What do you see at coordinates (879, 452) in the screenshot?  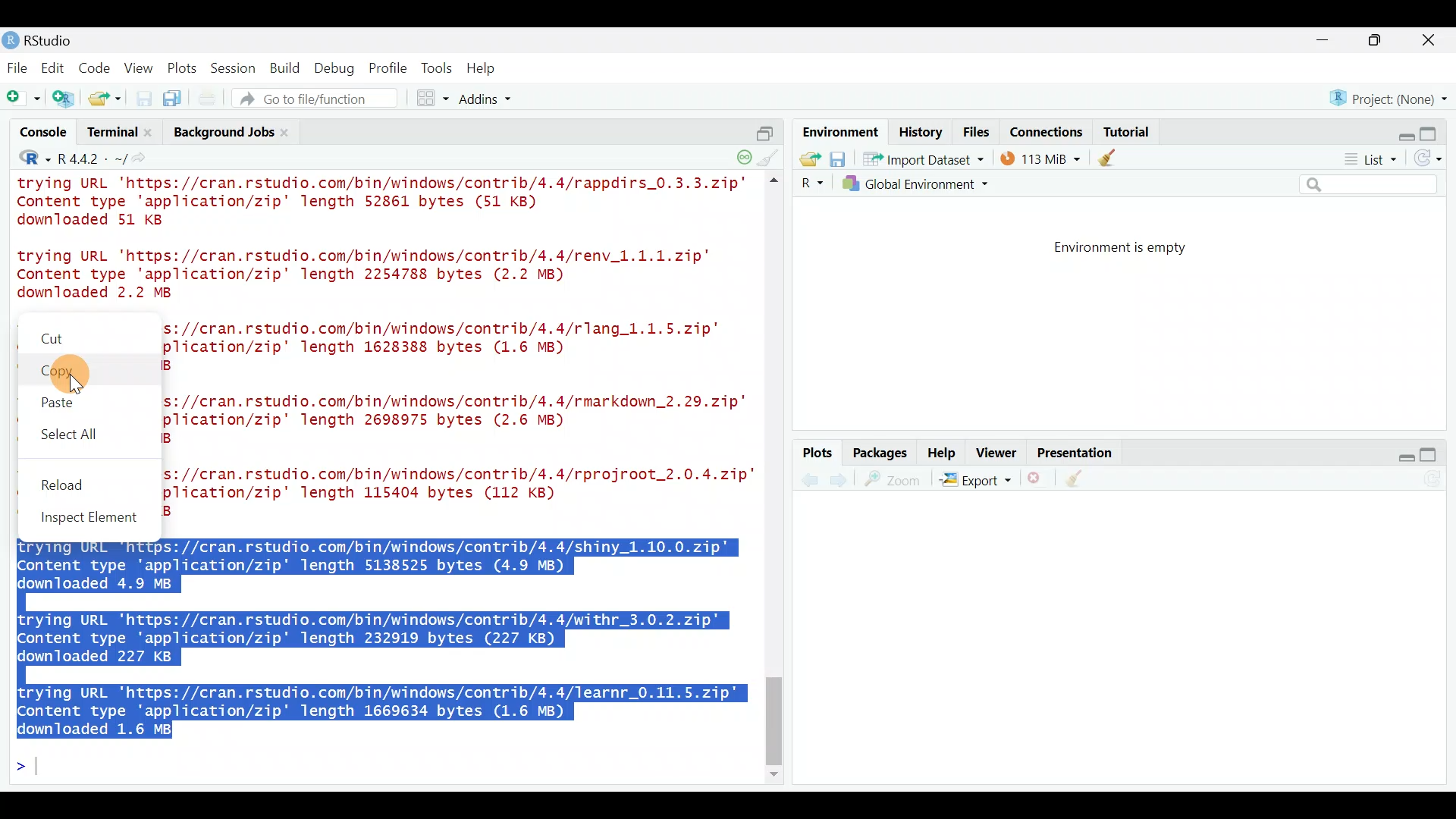 I see `Packages` at bounding box center [879, 452].